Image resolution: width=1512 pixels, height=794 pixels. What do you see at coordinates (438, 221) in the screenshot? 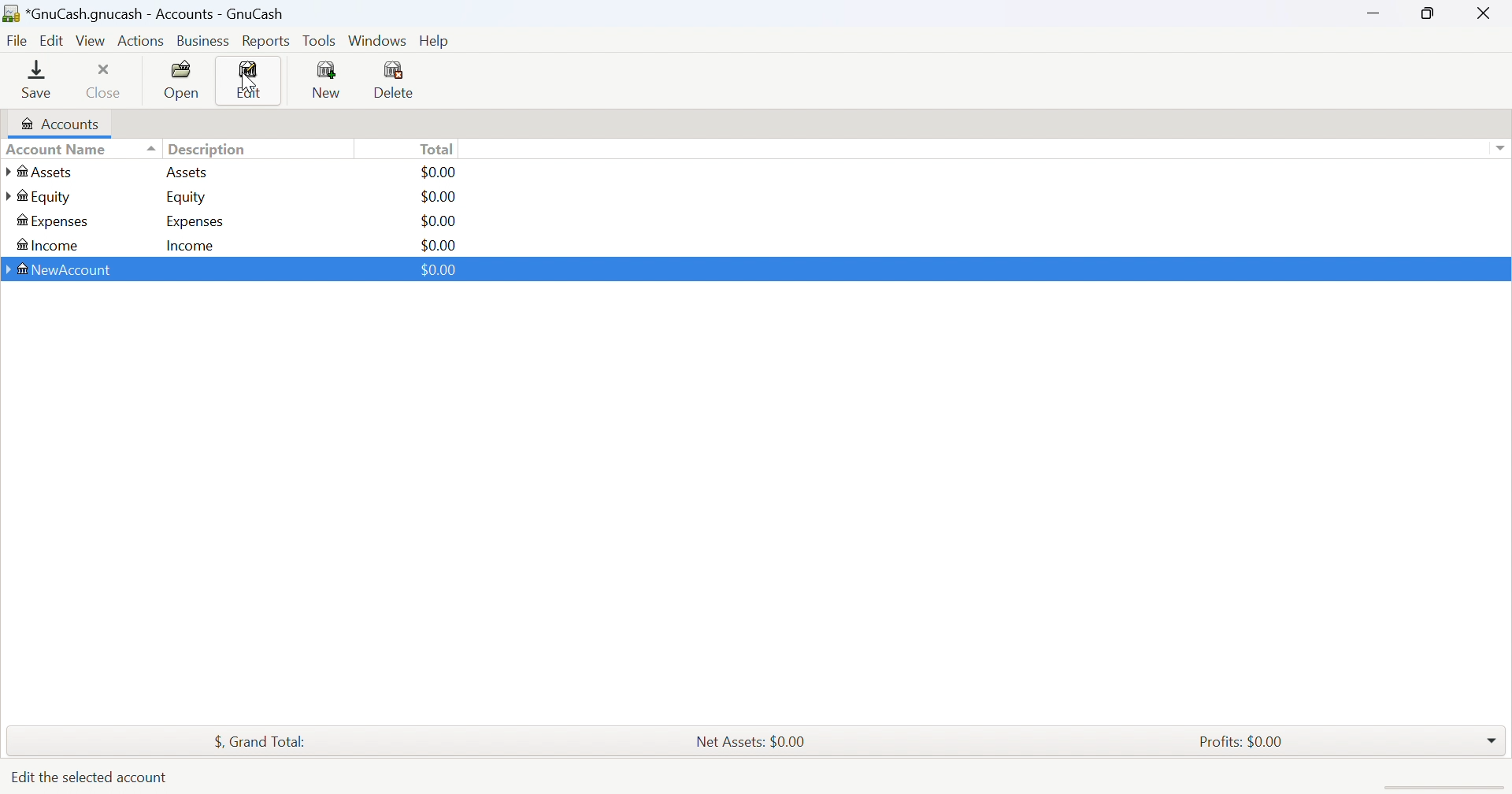
I see `$0.00` at bounding box center [438, 221].